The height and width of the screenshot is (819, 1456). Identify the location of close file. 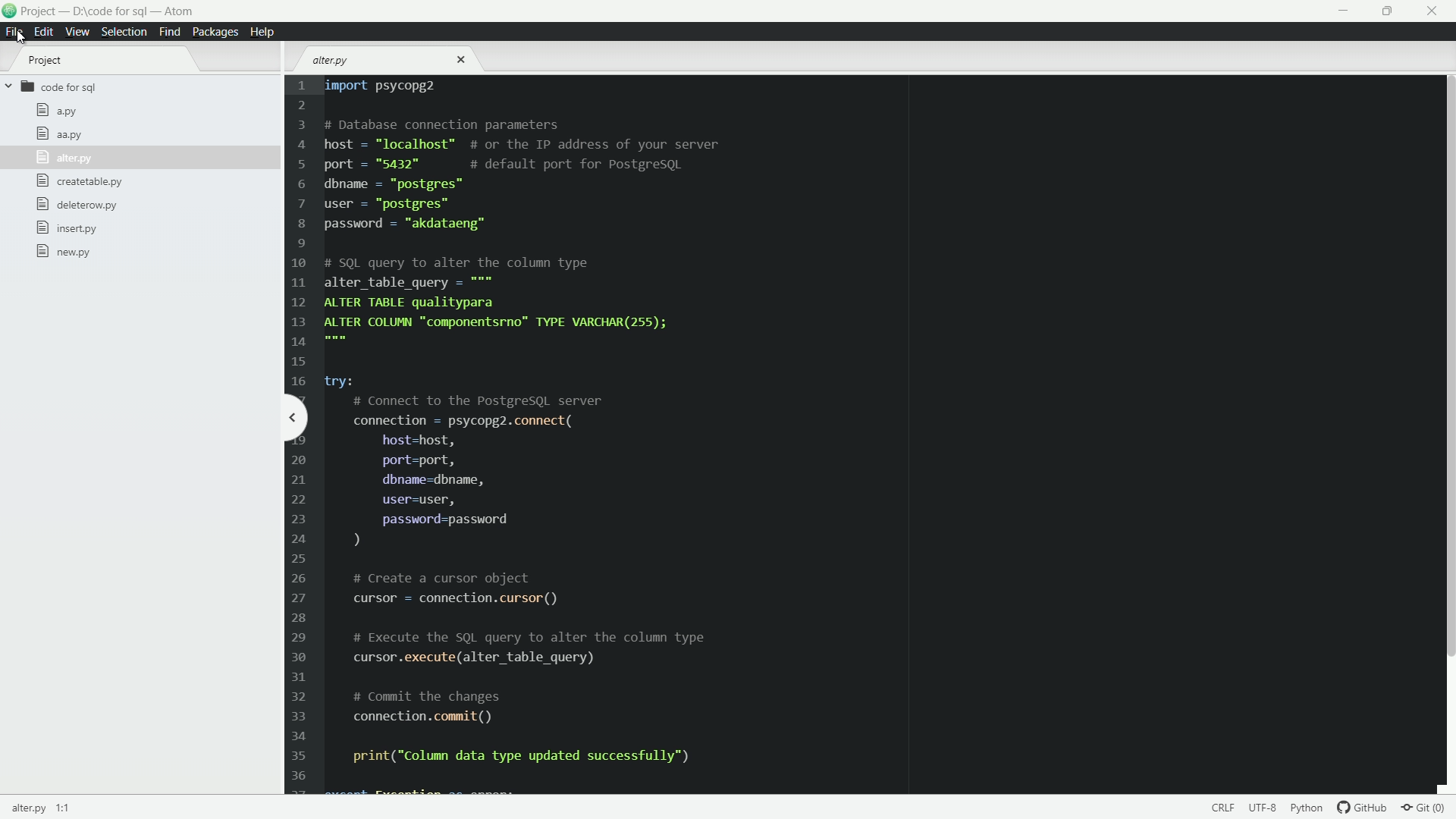
(463, 60).